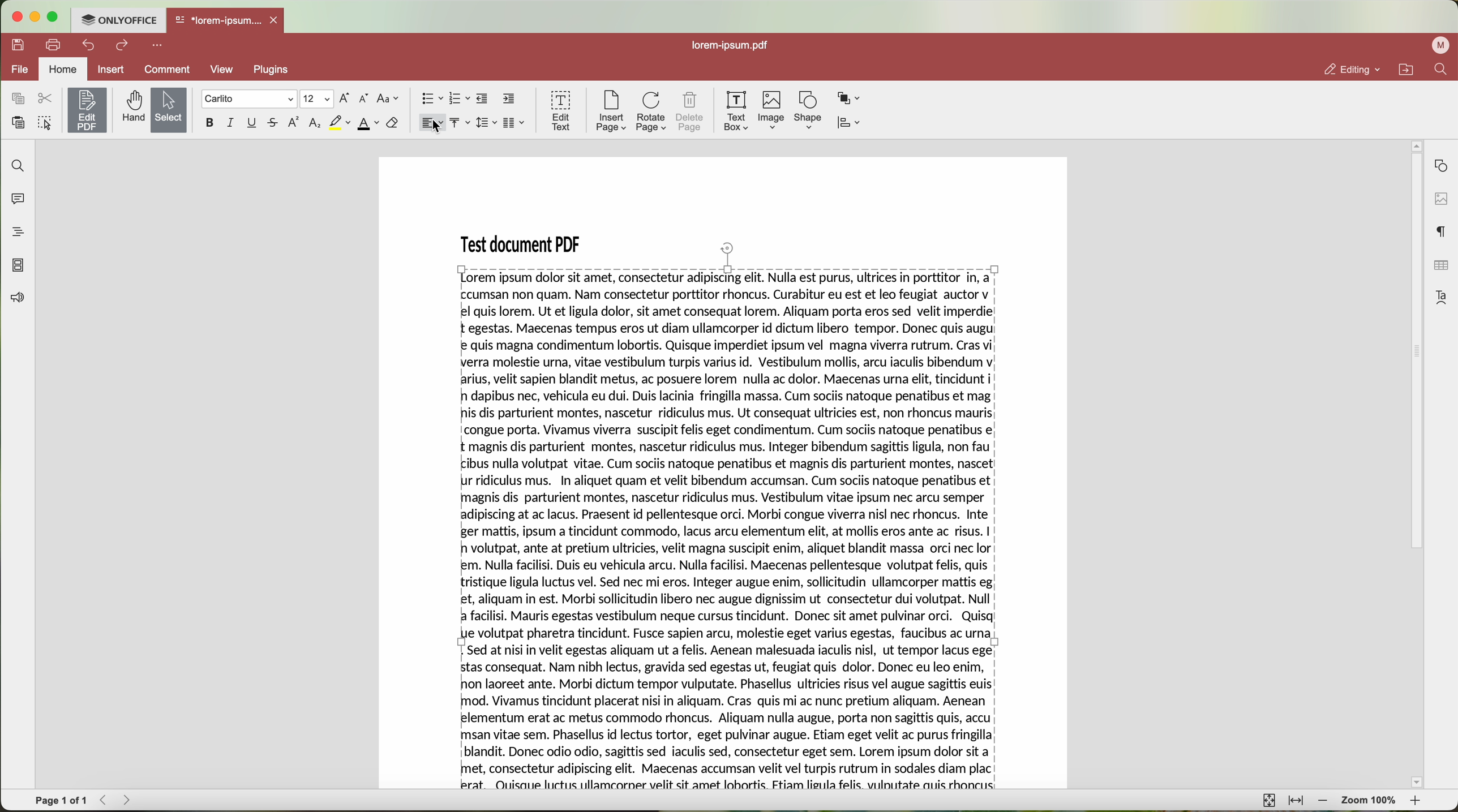 The width and height of the screenshot is (1458, 812). Describe the element at coordinates (1440, 199) in the screenshot. I see `image settings` at that location.